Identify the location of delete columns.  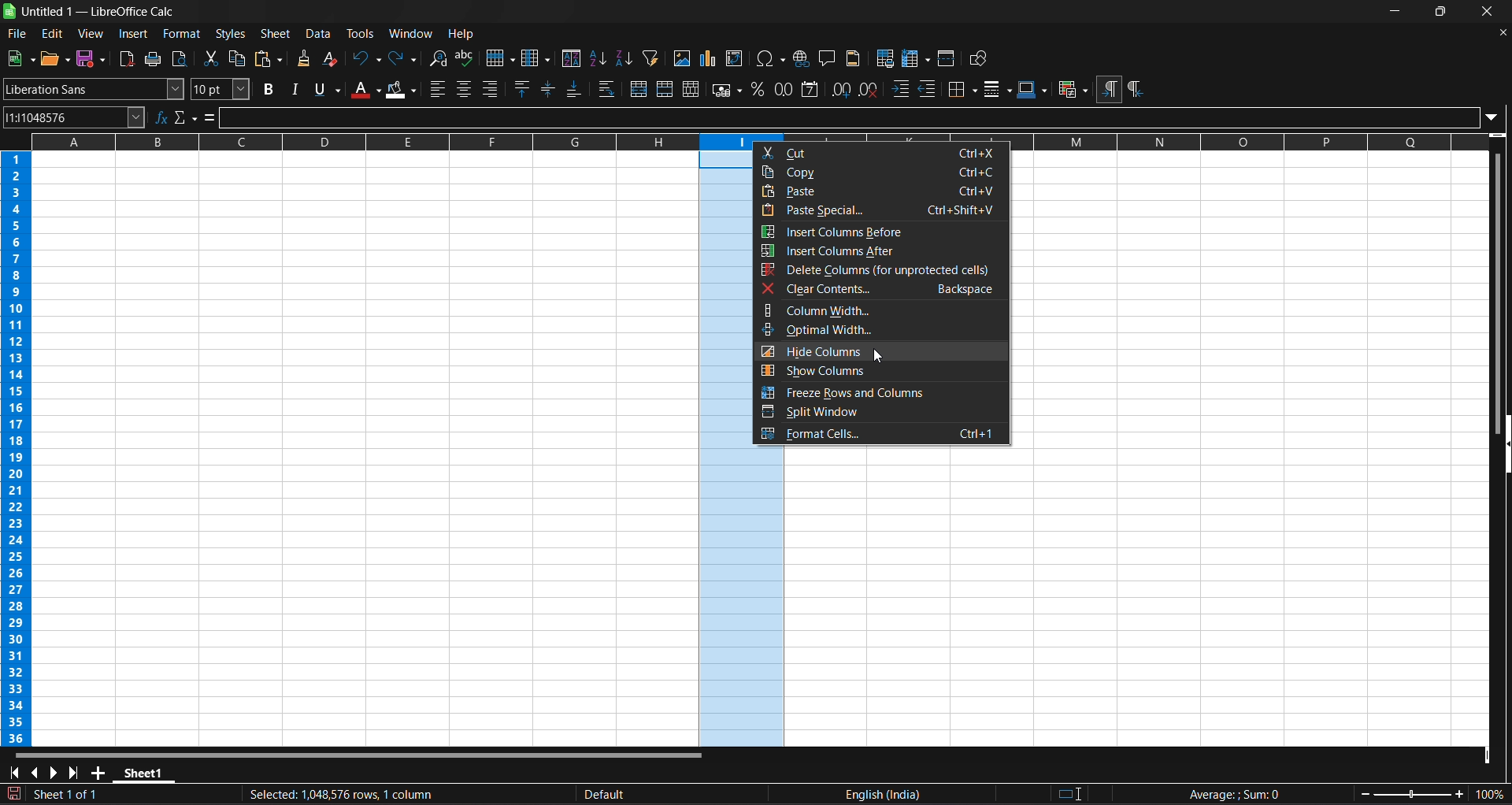
(879, 272).